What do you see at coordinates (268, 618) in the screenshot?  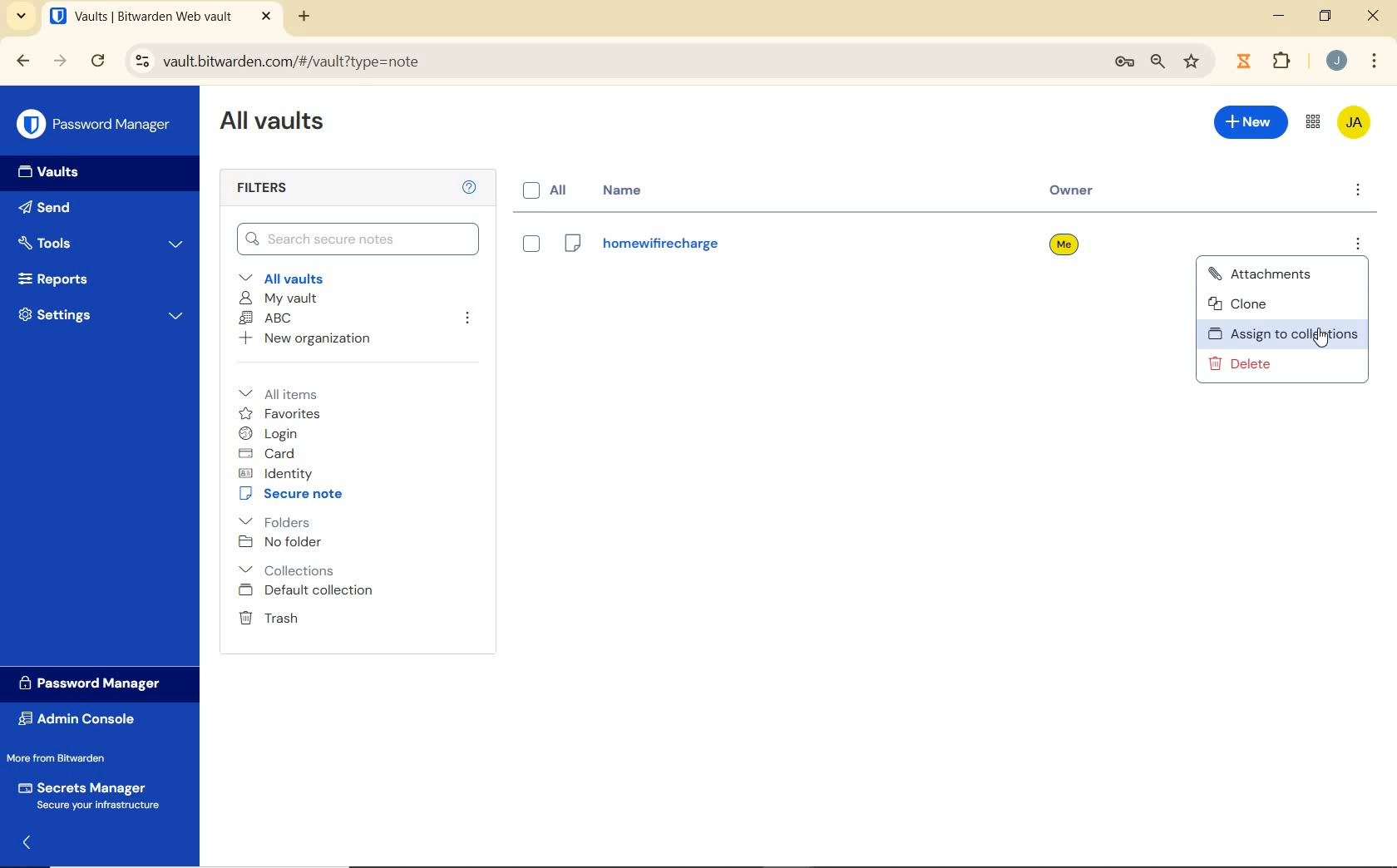 I see `Trash` at bounding box center [268, 618].